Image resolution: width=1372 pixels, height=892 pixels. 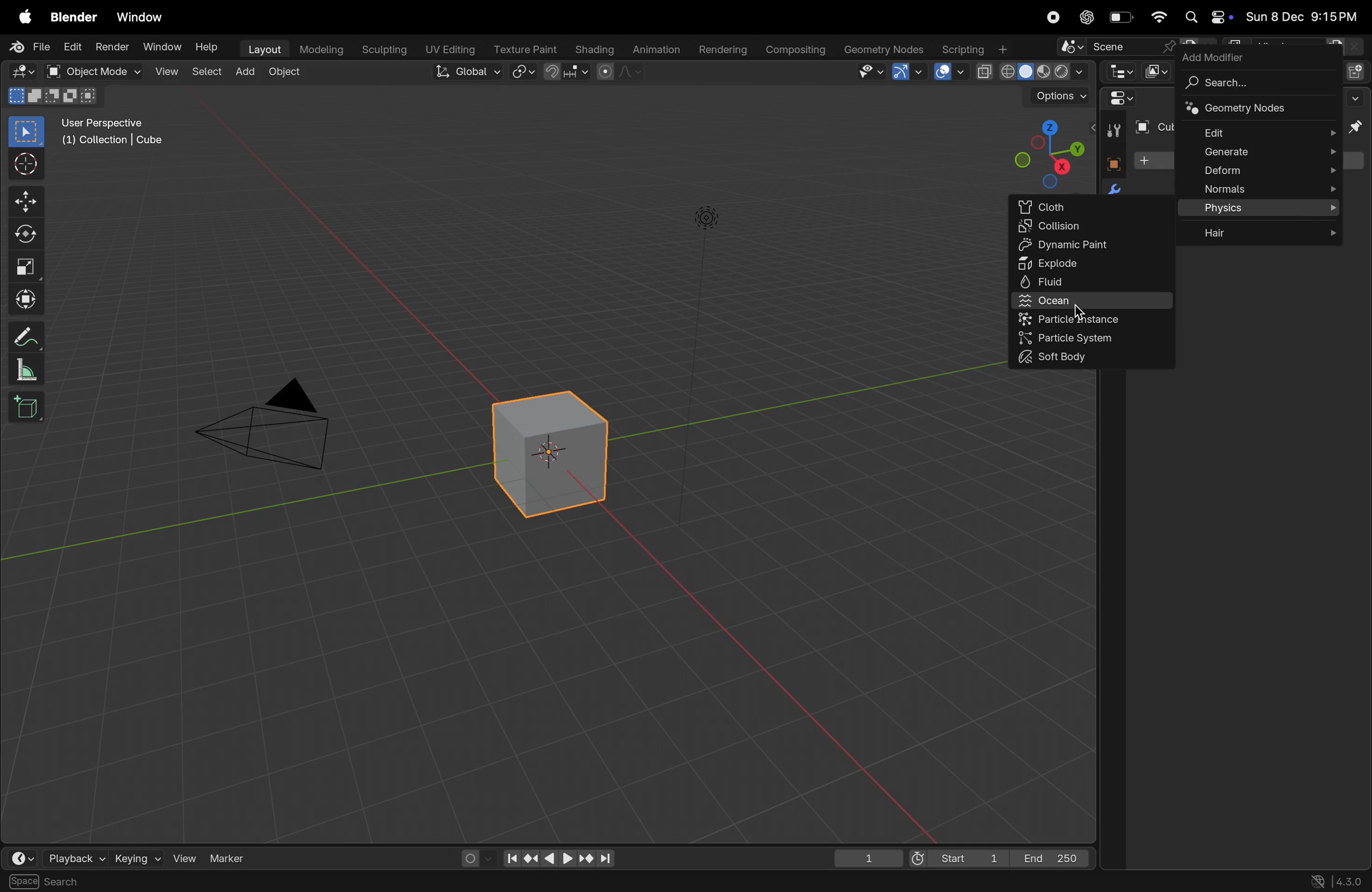 What do you see at coordinates (26, 337) in the screenshot?
I see `annotate` at bounding box center [26, 337].